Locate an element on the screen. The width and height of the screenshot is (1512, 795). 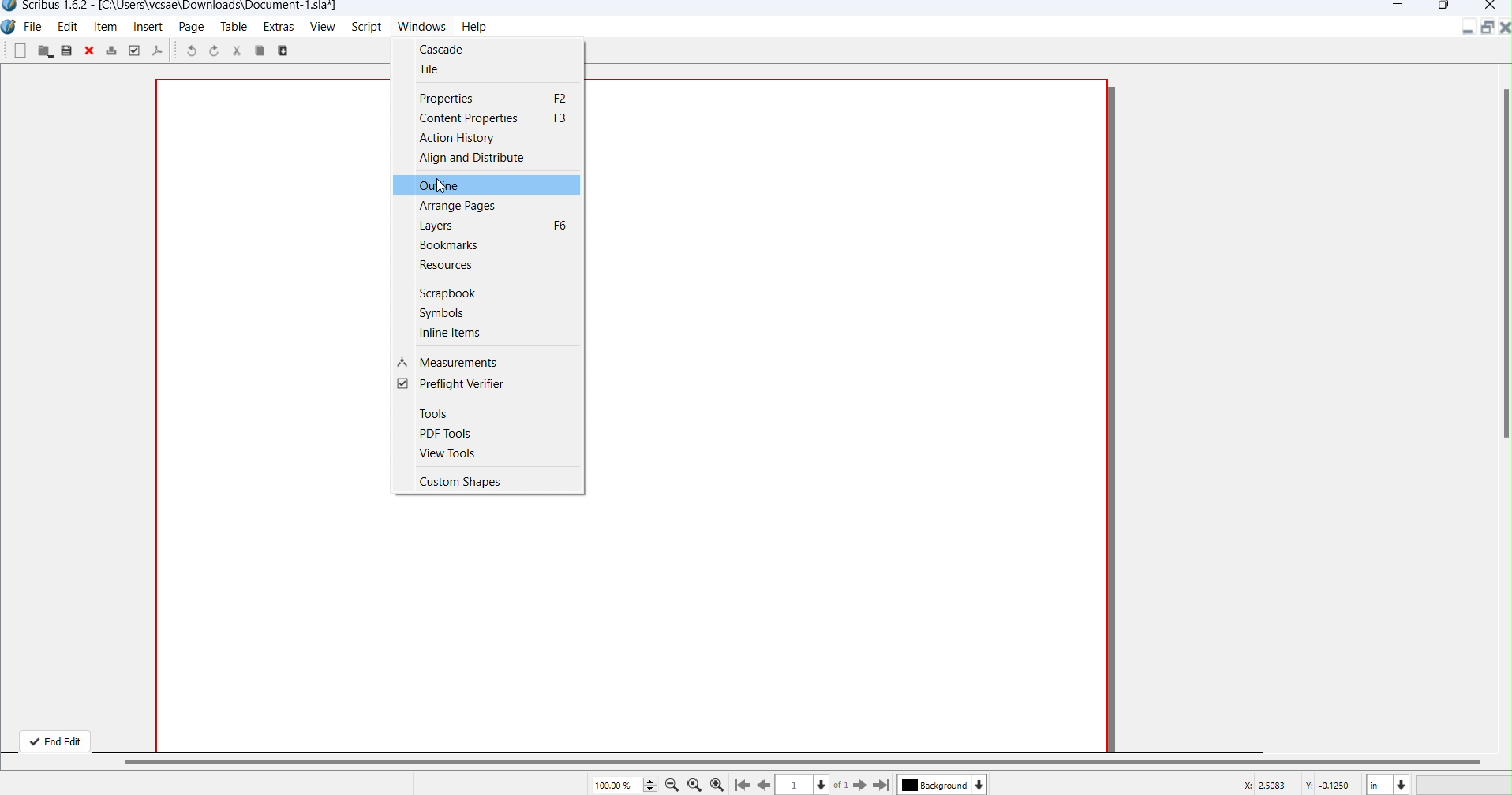
Tile is located at coordinates (428, 70).